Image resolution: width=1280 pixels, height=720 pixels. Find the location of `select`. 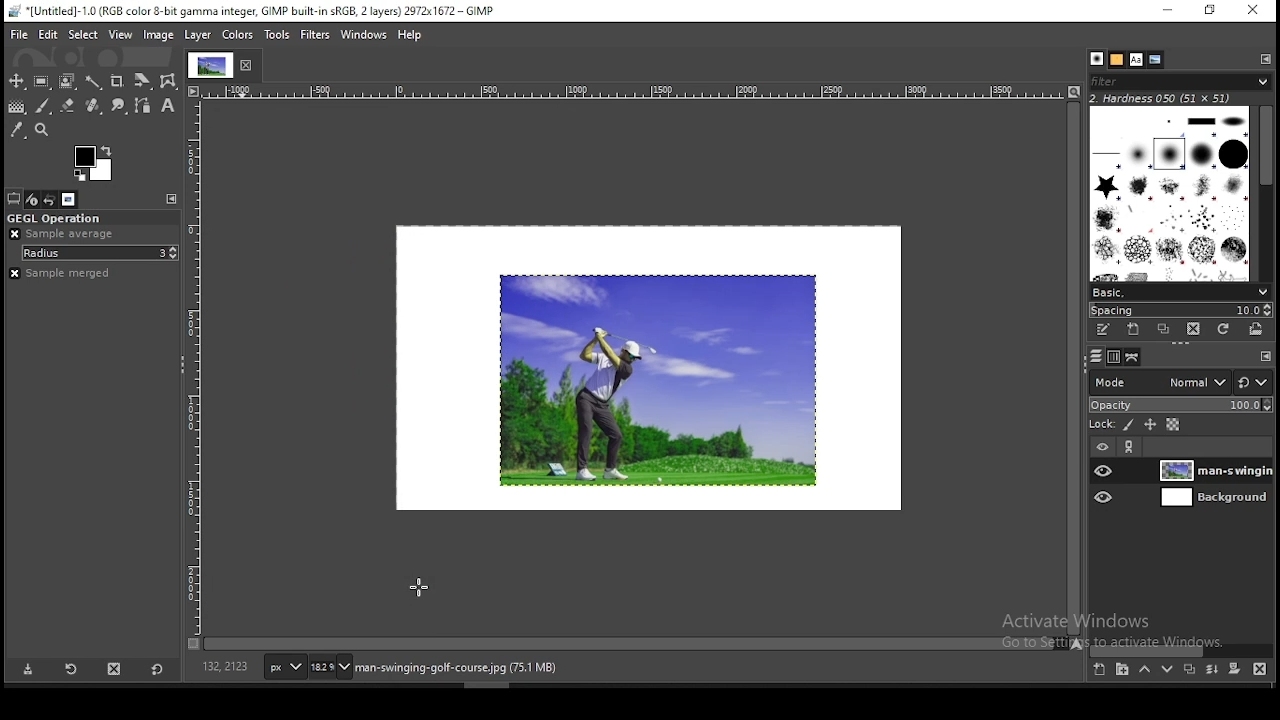

select is located at coordinates (83, 33).